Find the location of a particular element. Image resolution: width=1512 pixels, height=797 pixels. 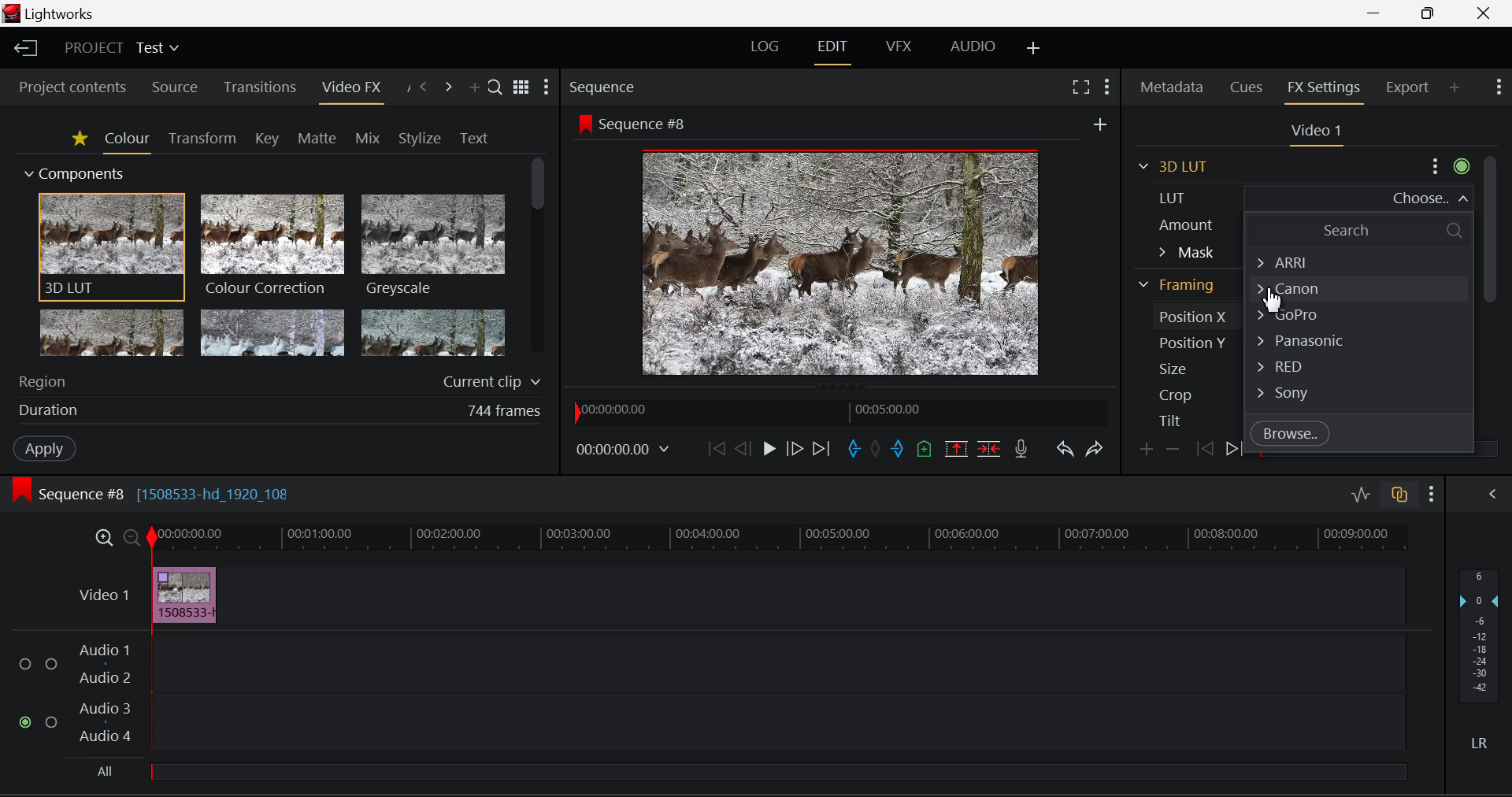

Previous keyframe is located at coordinates (1205, 450).